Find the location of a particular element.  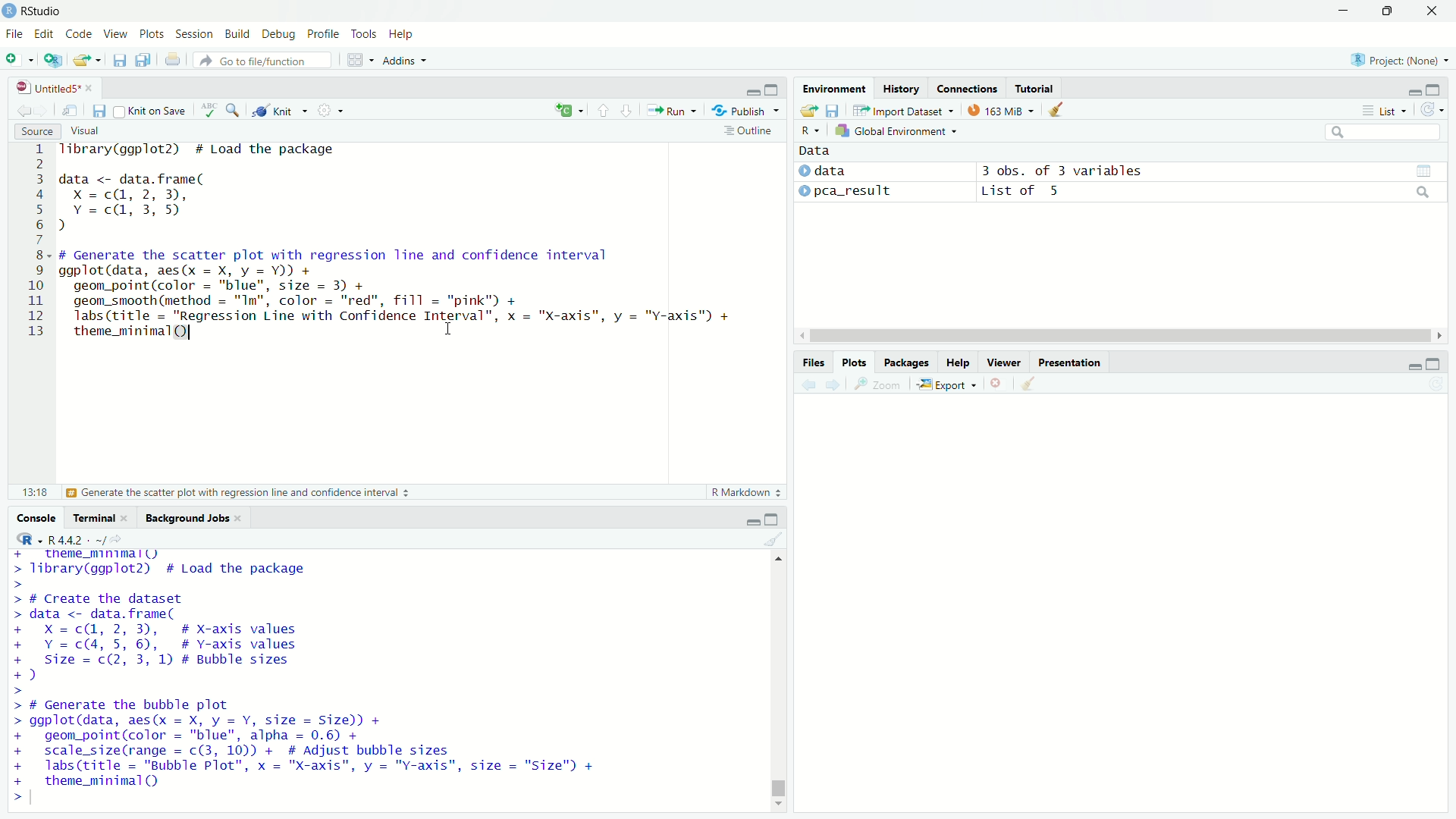

Clear objects from workspace is located at coordinates (1057, 110).